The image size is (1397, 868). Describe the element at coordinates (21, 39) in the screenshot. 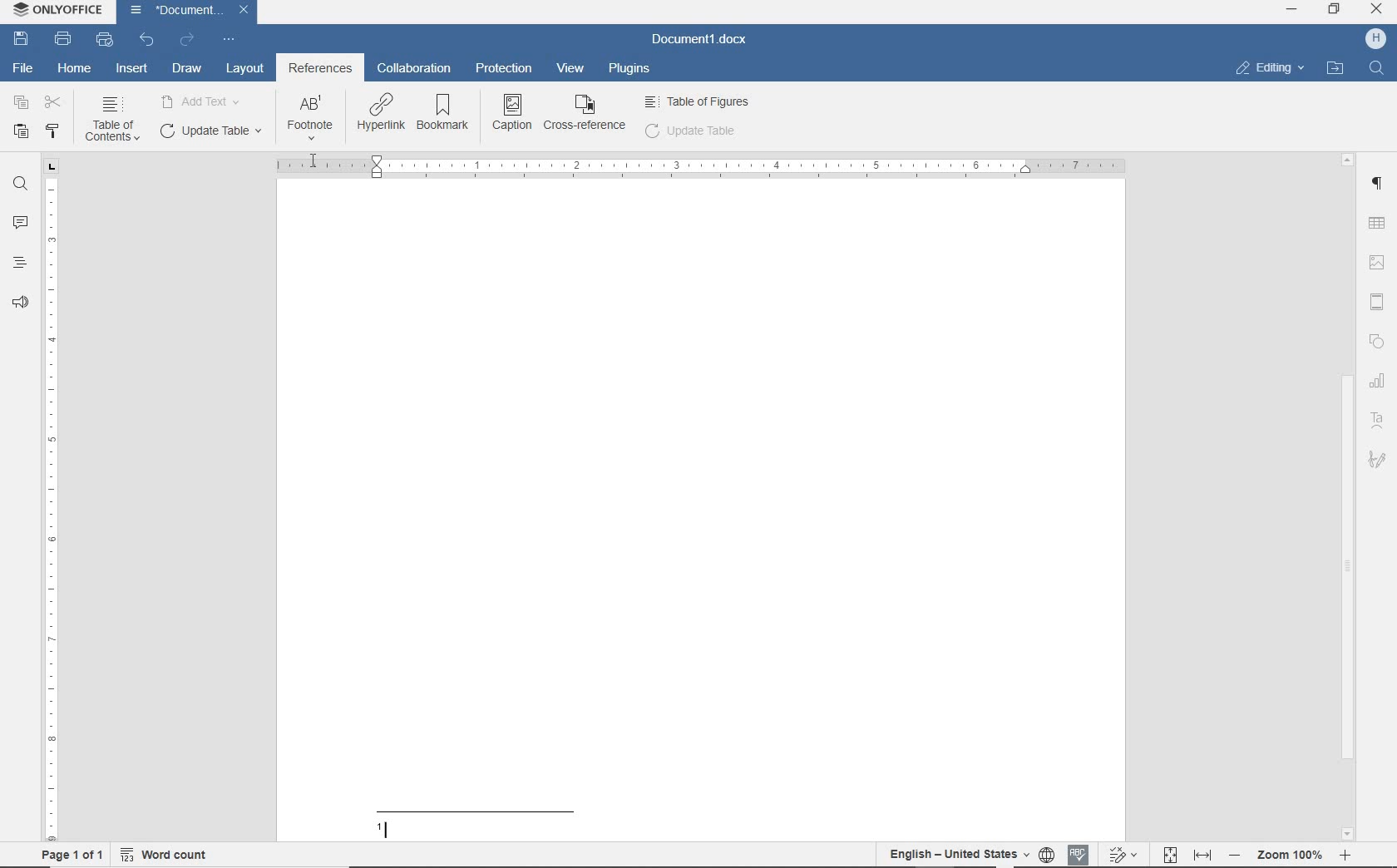

I see `save` at that location.